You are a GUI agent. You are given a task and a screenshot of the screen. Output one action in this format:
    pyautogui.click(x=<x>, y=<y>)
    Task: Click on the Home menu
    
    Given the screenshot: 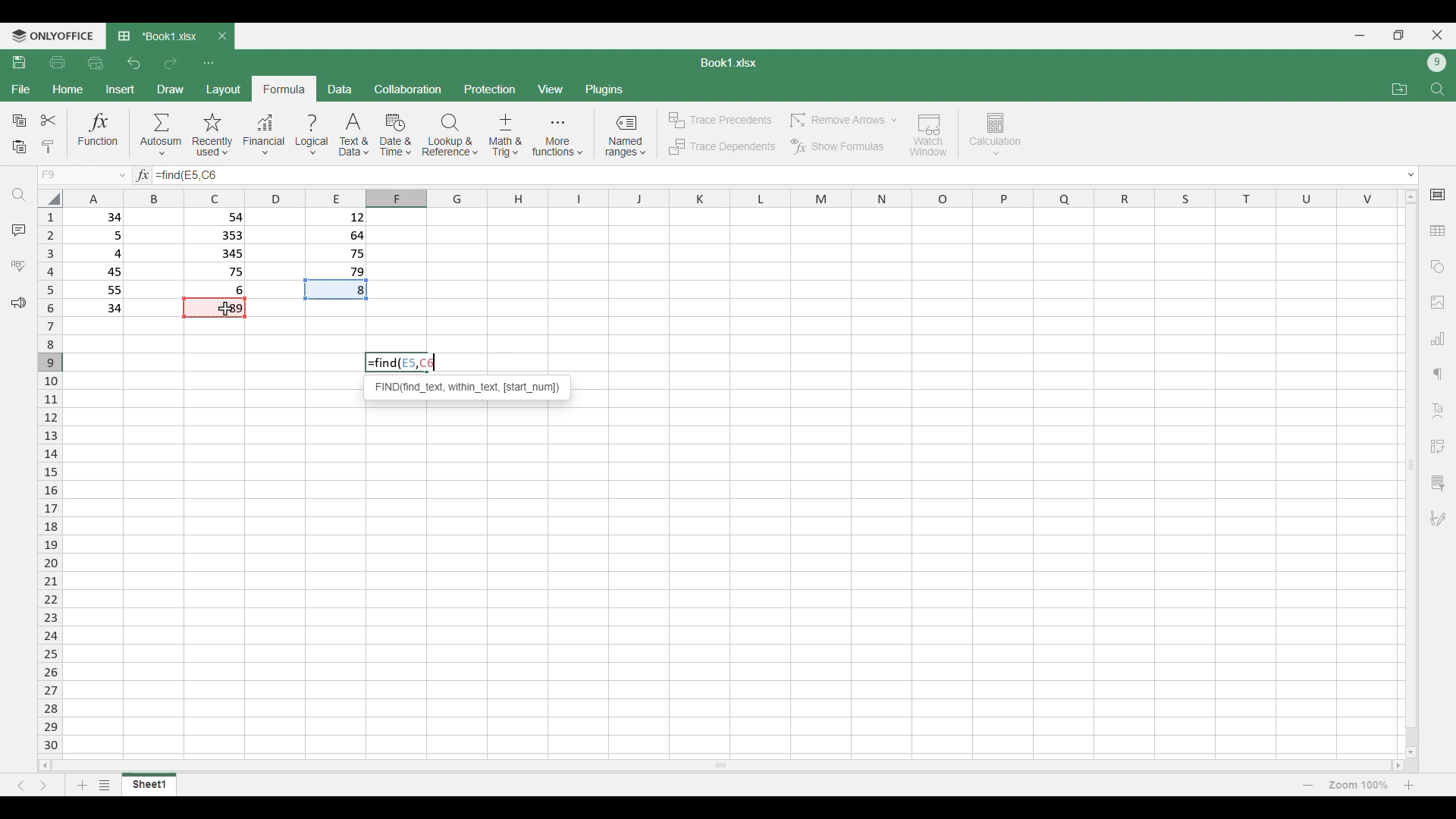 What is the action you would take?
    pyautogui.click(x=67, y=89)
    